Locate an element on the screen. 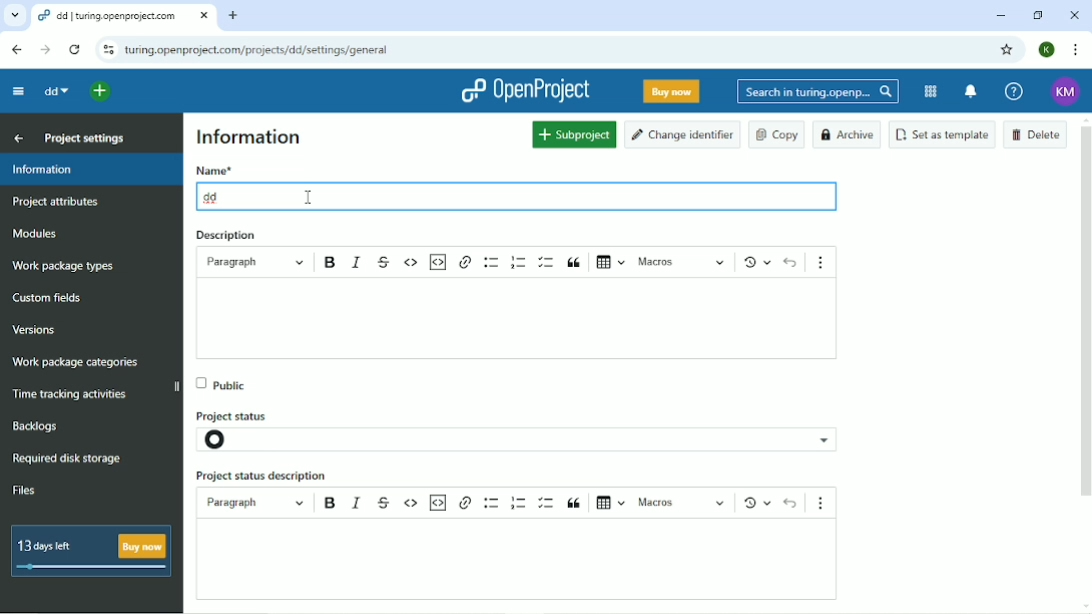  View site information is located at coordinates (107, 49).